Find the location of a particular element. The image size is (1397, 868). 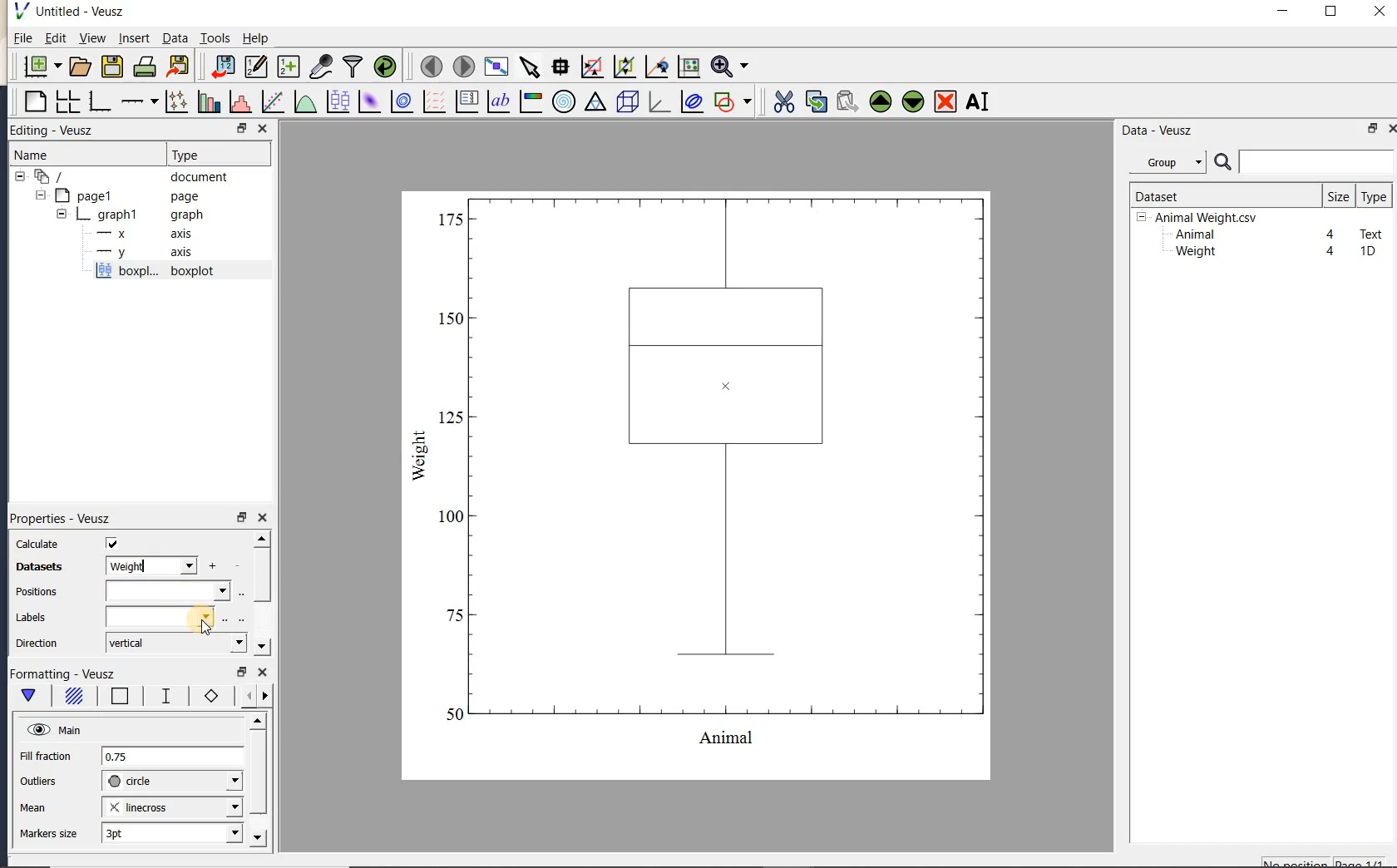

close is located at coordinates (263, 519).